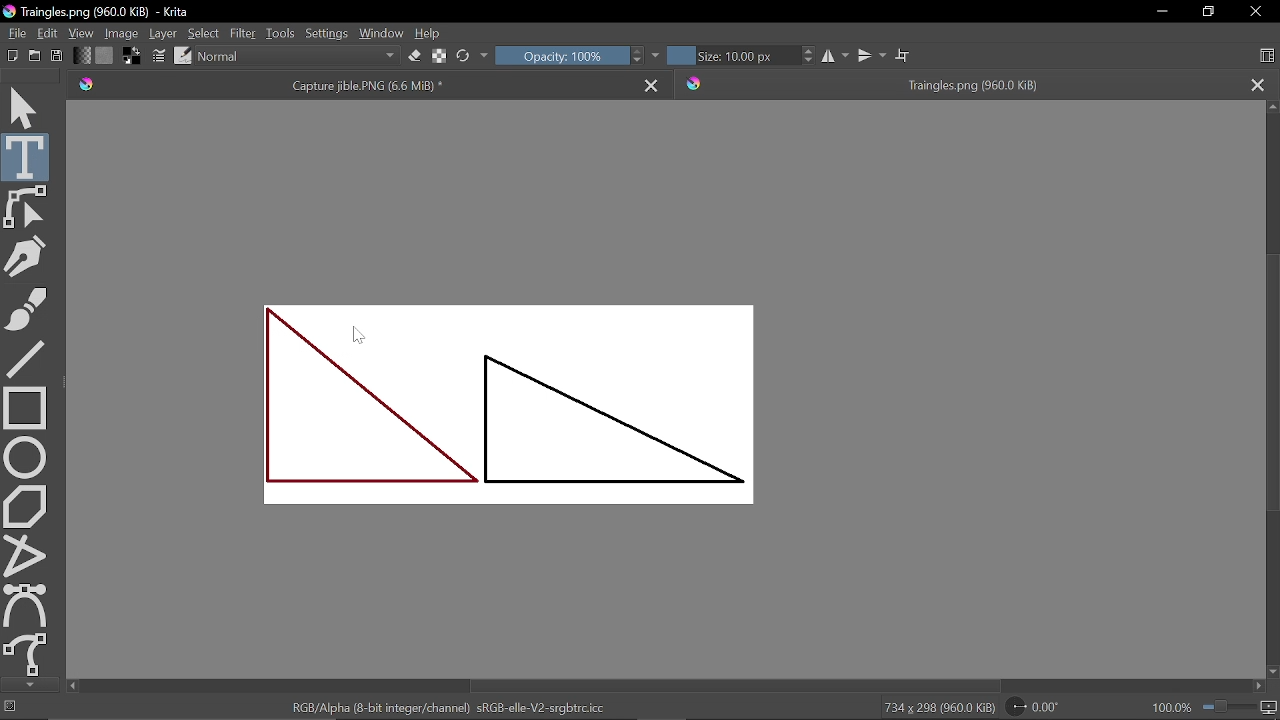 The image size is (1280, 720). I want to click on Image, so click(120, 34).